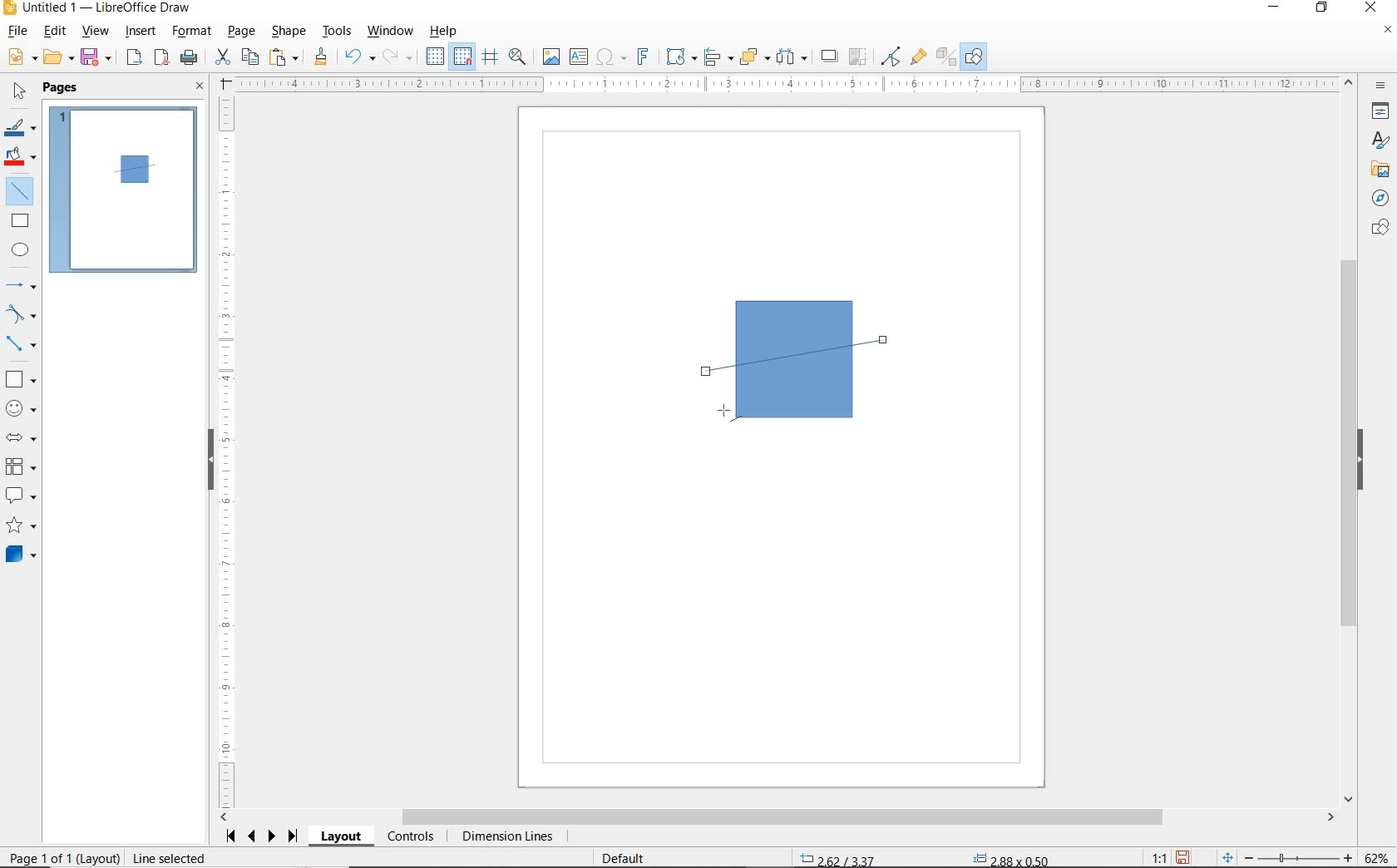 Image resolution: width=1397 pixels, height=868 pixels. What do you see at coordinates (1380, 196) in the screenshot?
I see `NAVIGATOR` at bounding box center [1380, 196].